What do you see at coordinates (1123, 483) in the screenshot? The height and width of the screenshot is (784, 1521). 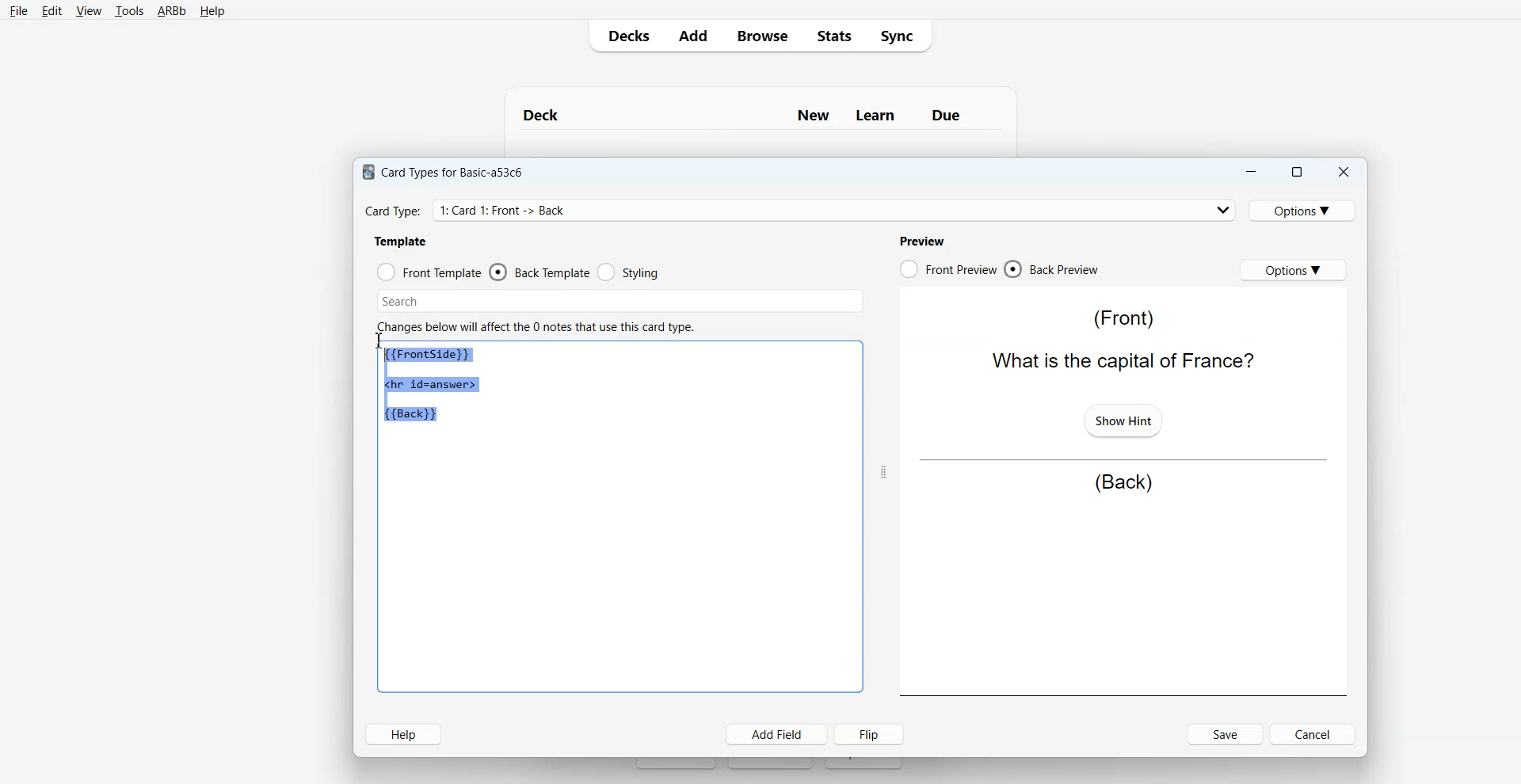 I see `(Back)` at bounding box center [1123, 483].